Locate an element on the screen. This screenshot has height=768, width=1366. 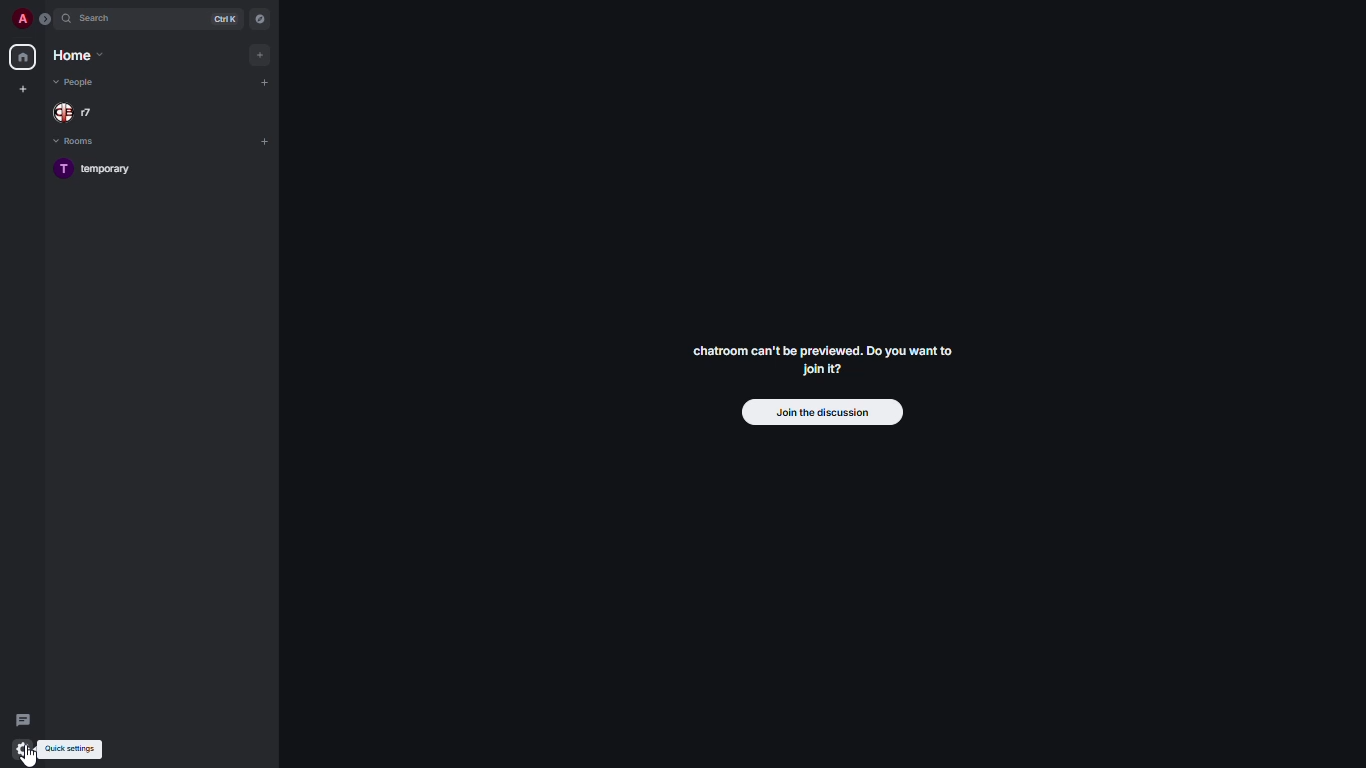
home is located at coordinates (22, 57).